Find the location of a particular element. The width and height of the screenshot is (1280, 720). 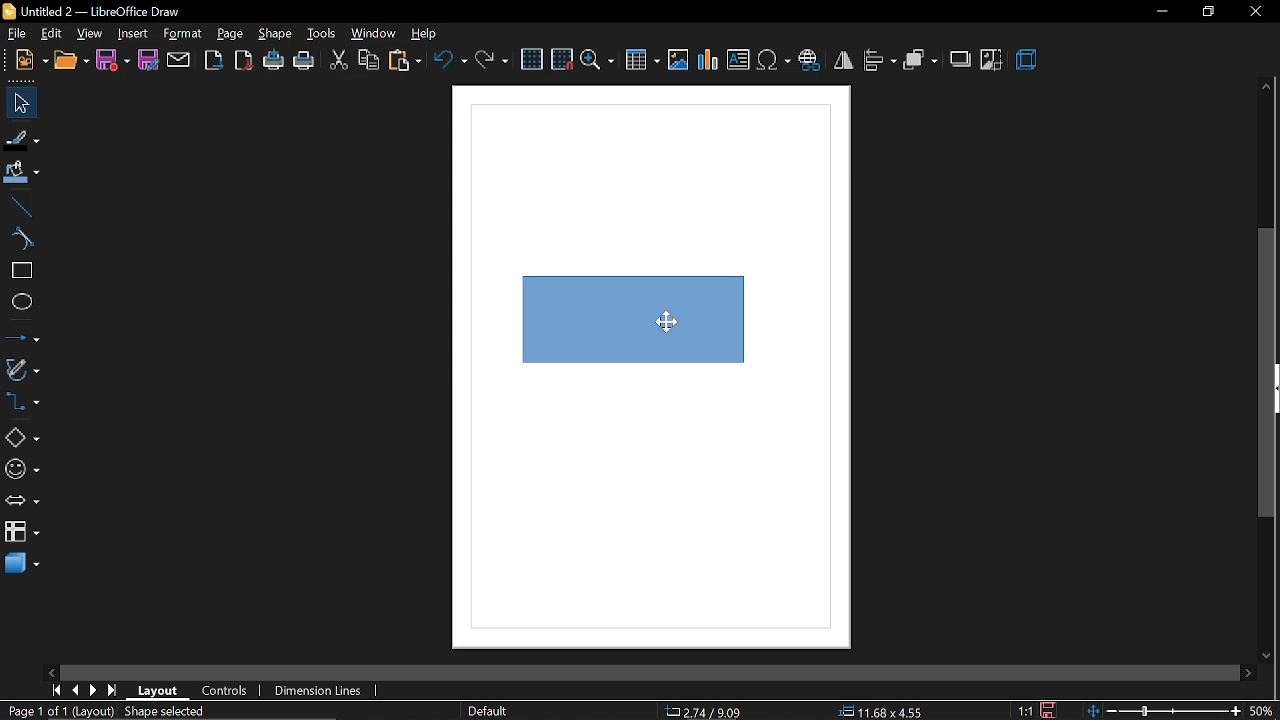

redo is located at coordinates (492, 60).